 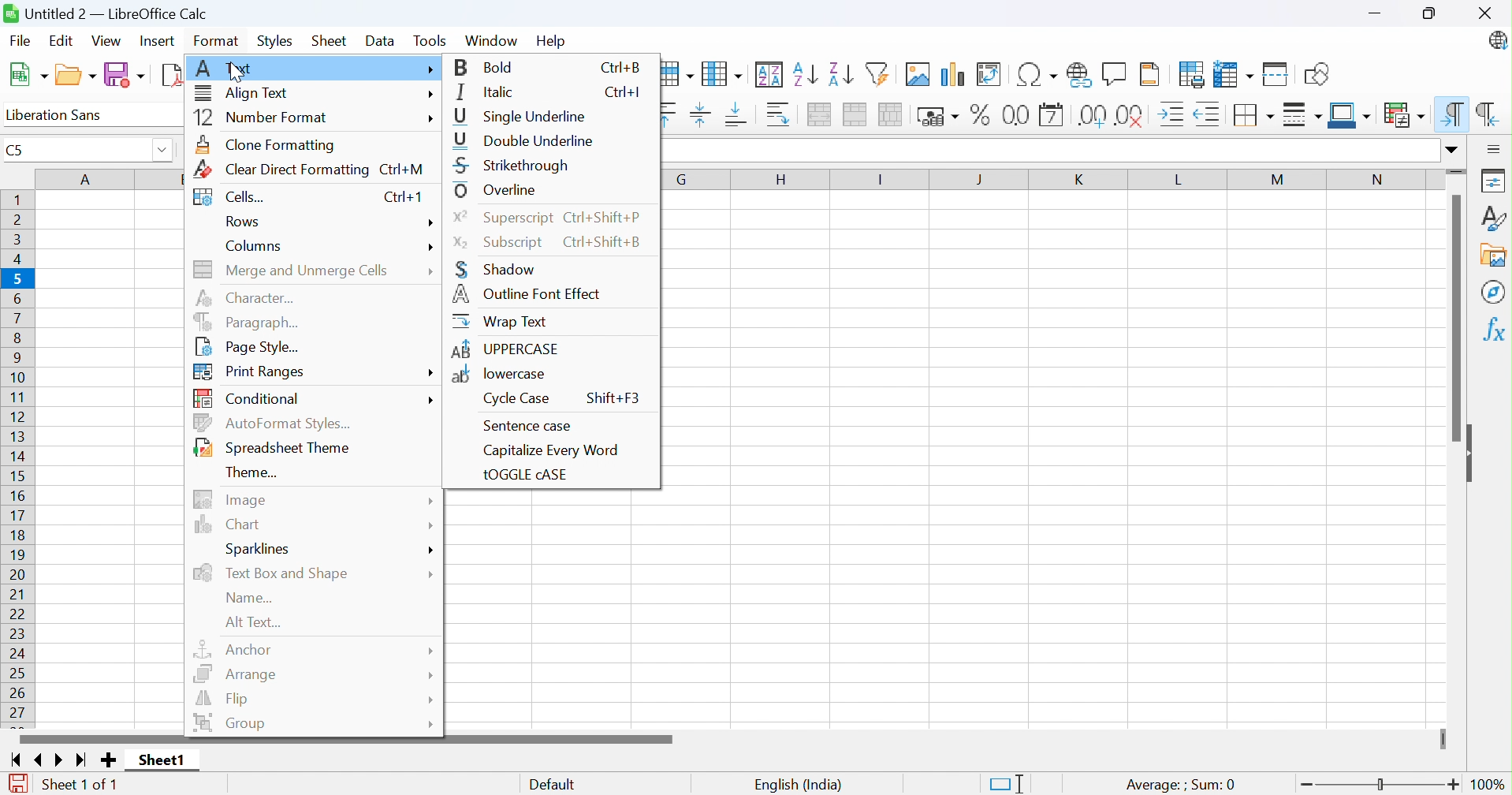 I want to click on Ctrl+Shift+P, so click(x=606, y=218).